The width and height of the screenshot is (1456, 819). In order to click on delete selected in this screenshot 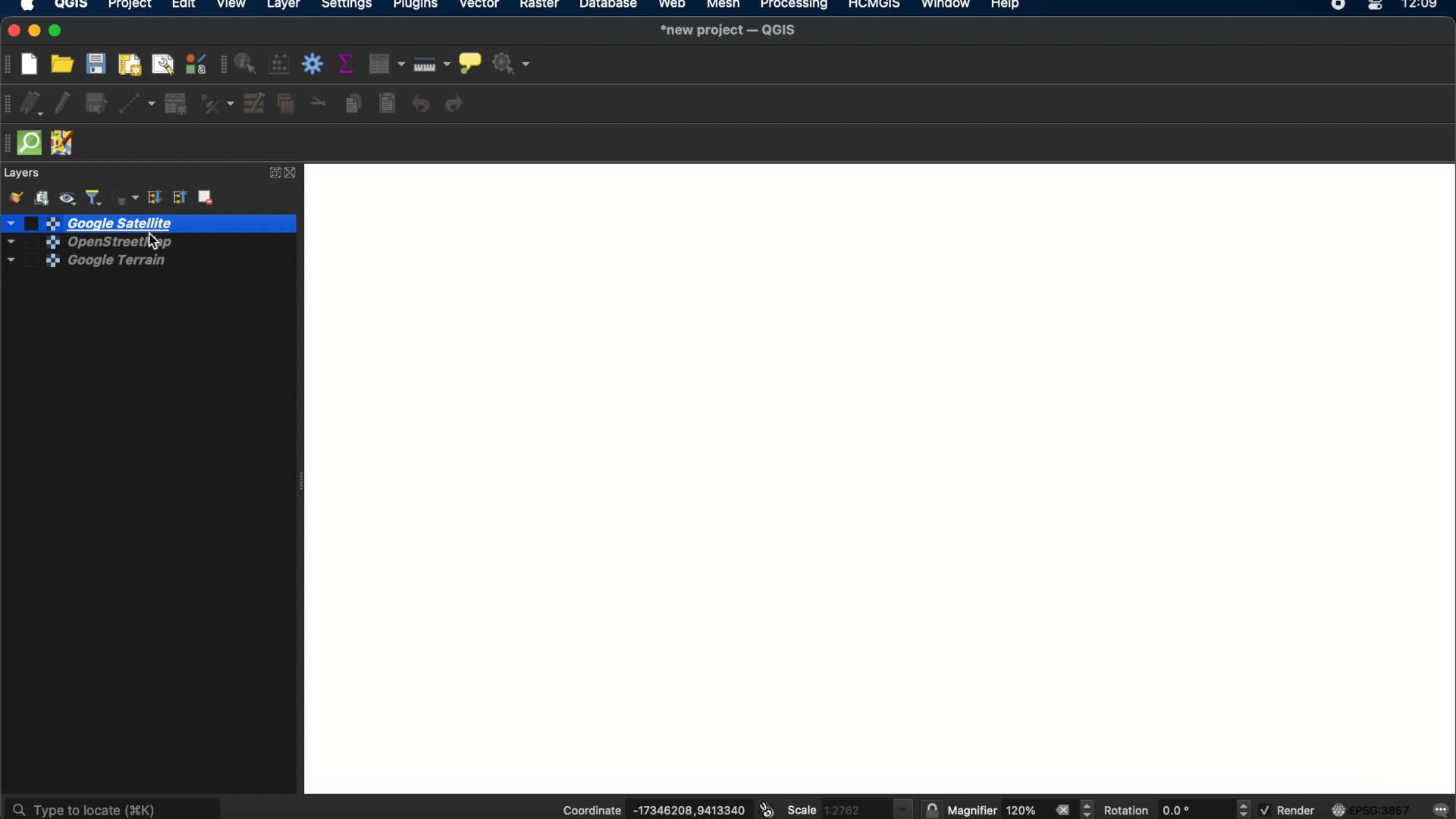, I will do `click(286, 105)`.